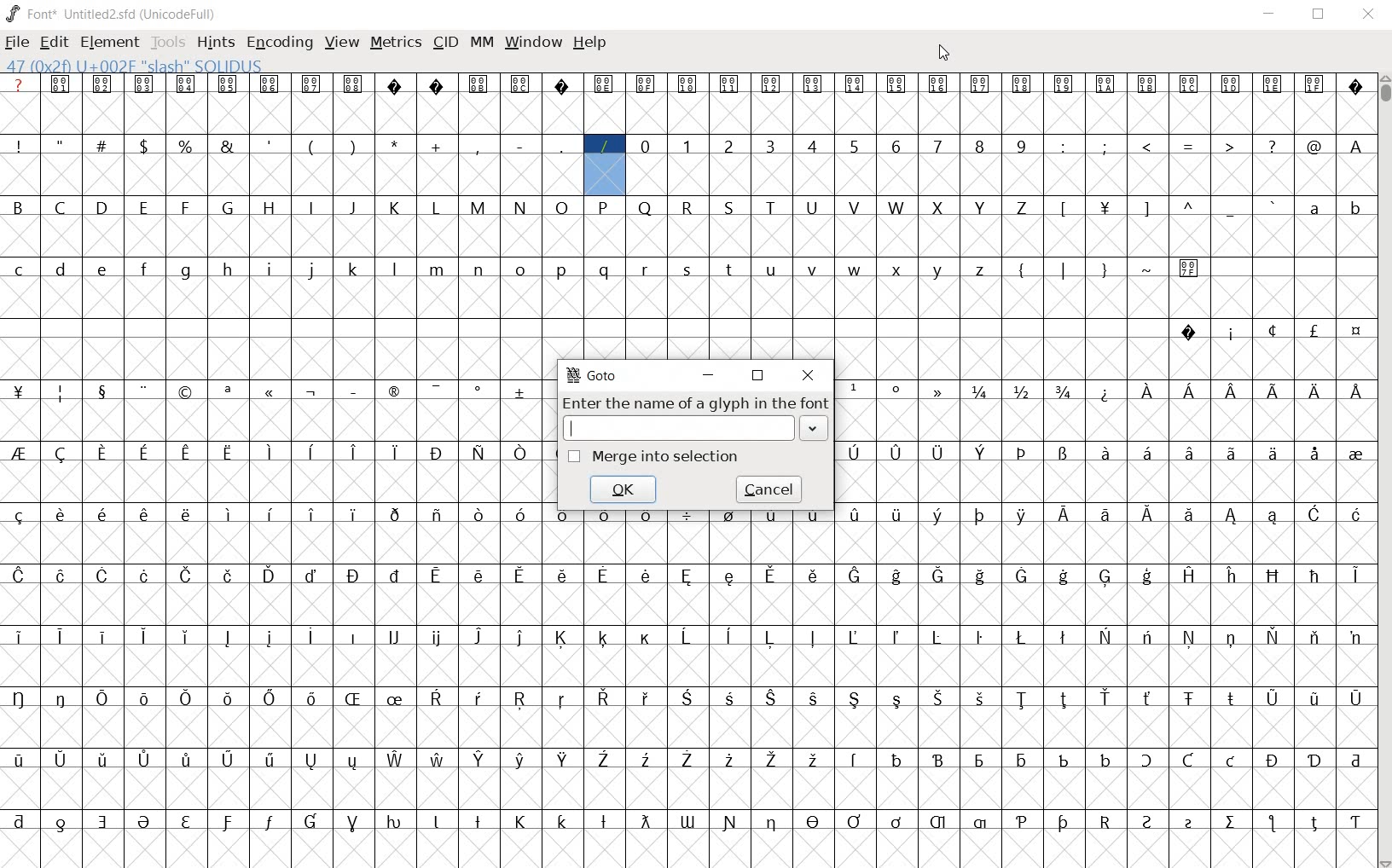 The height and width of the screenshot is (868, 1392). I want to click on glyph, so click(896, 637).